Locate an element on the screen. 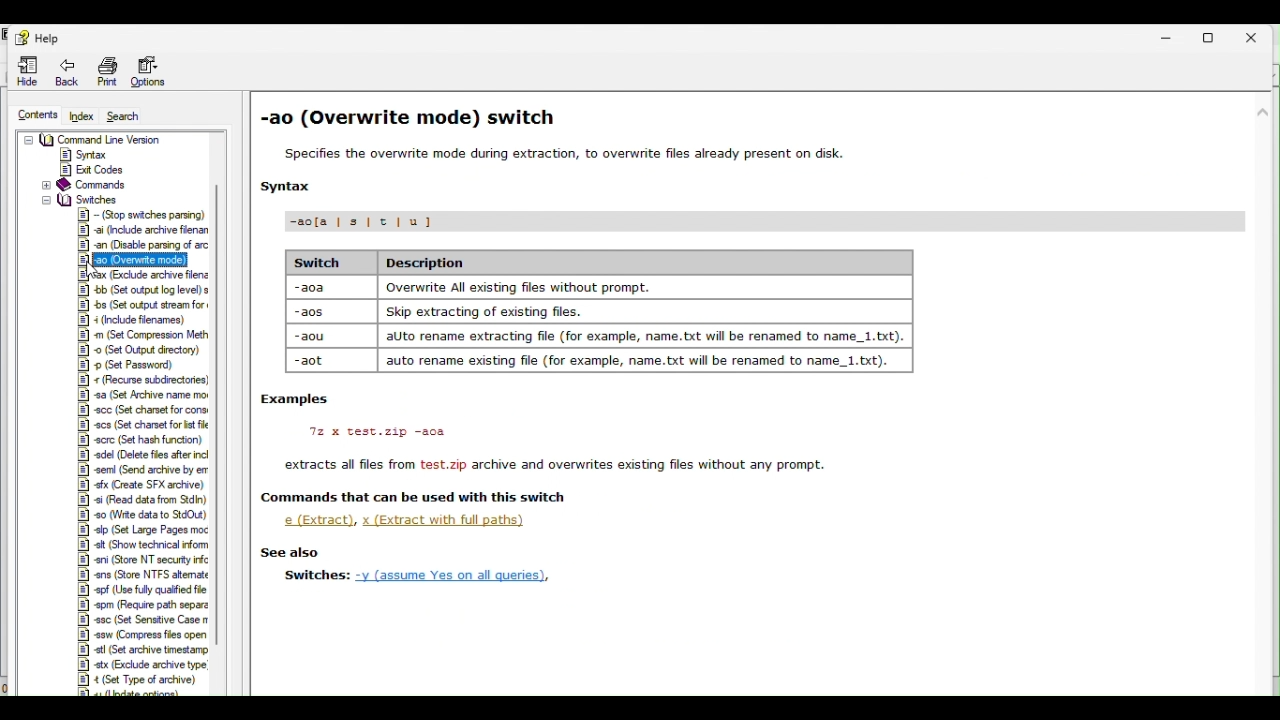 Image resolution: width=1280 pixels, height=720 pixels. 1&8] ofx Create SFX archive) is located at coordinates (143, 484).